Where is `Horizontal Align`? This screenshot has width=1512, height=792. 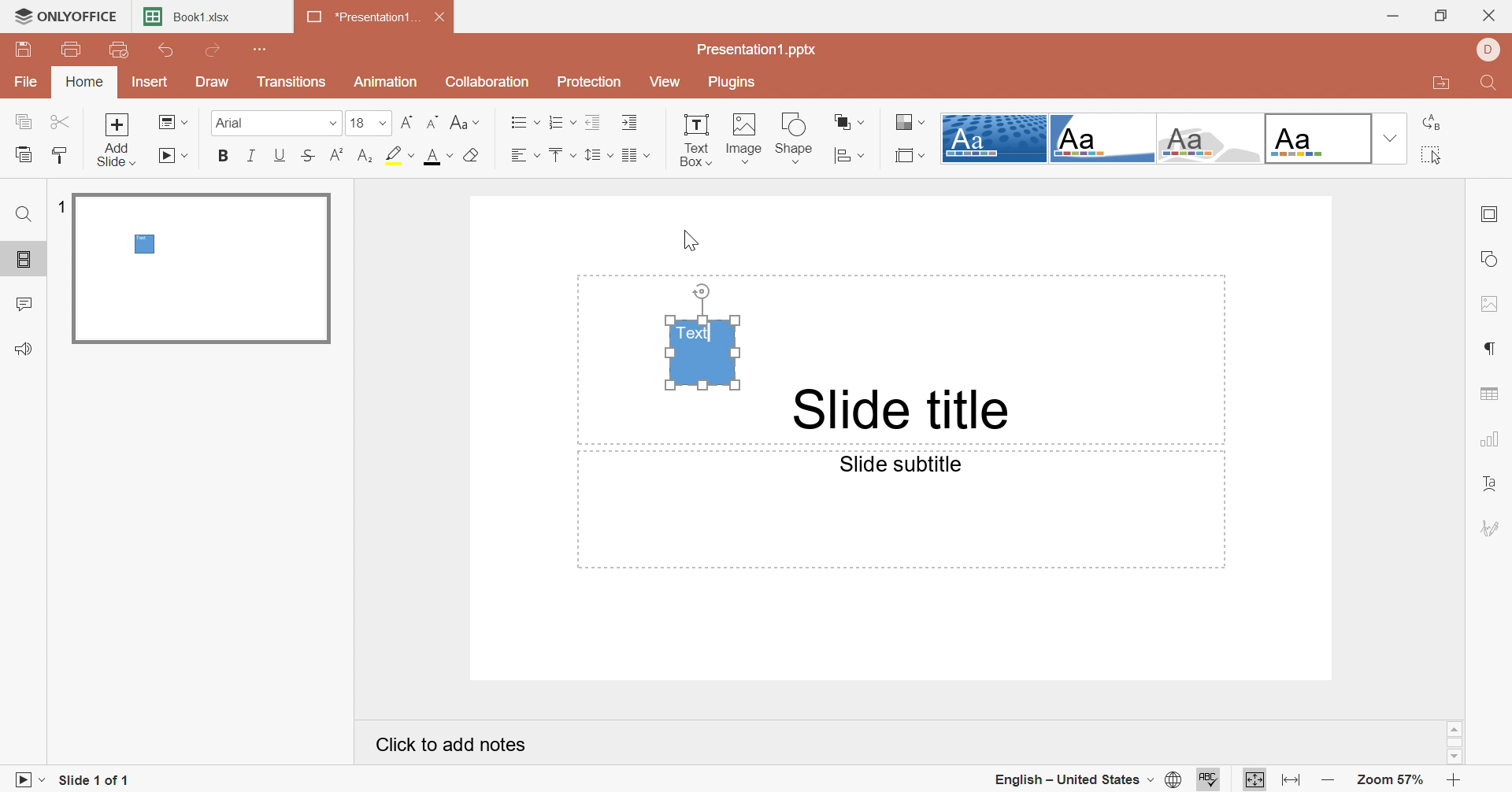
Horizontal Align is located at coordinates (522, 156).